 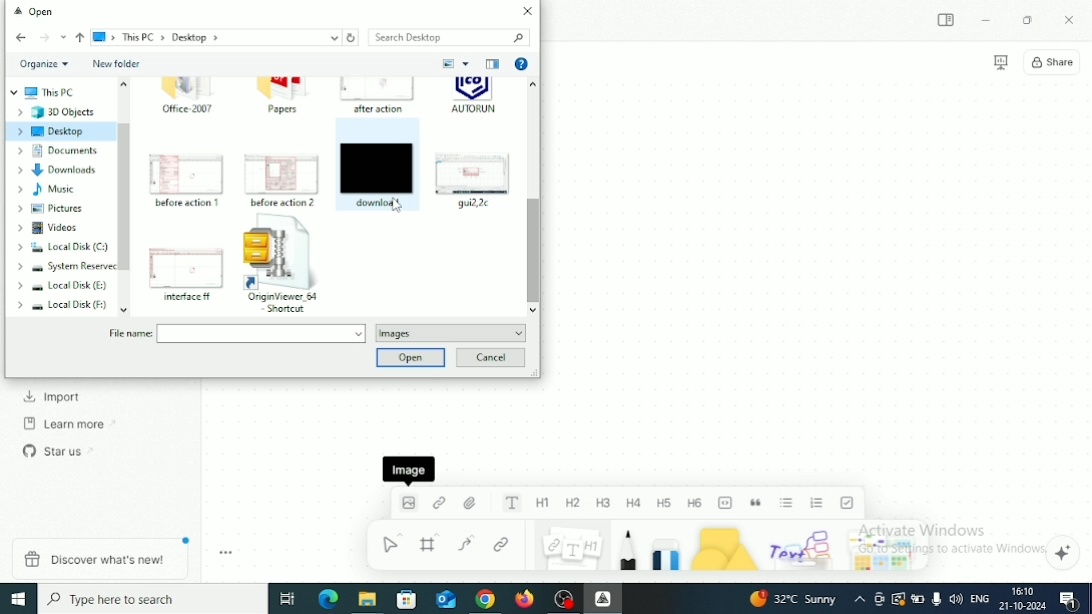 I want to click on before action 1, so click(x=188, y=180).